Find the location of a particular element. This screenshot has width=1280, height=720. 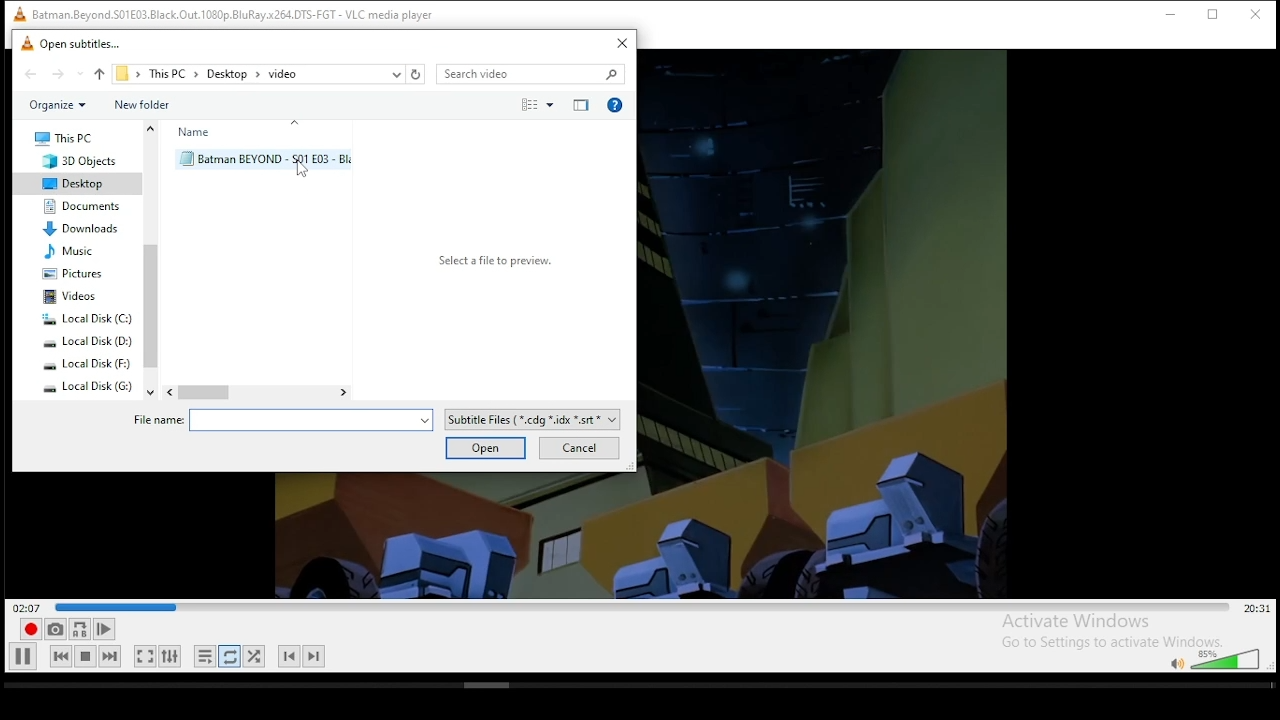

seek bar is located at coordinates (642, 606).